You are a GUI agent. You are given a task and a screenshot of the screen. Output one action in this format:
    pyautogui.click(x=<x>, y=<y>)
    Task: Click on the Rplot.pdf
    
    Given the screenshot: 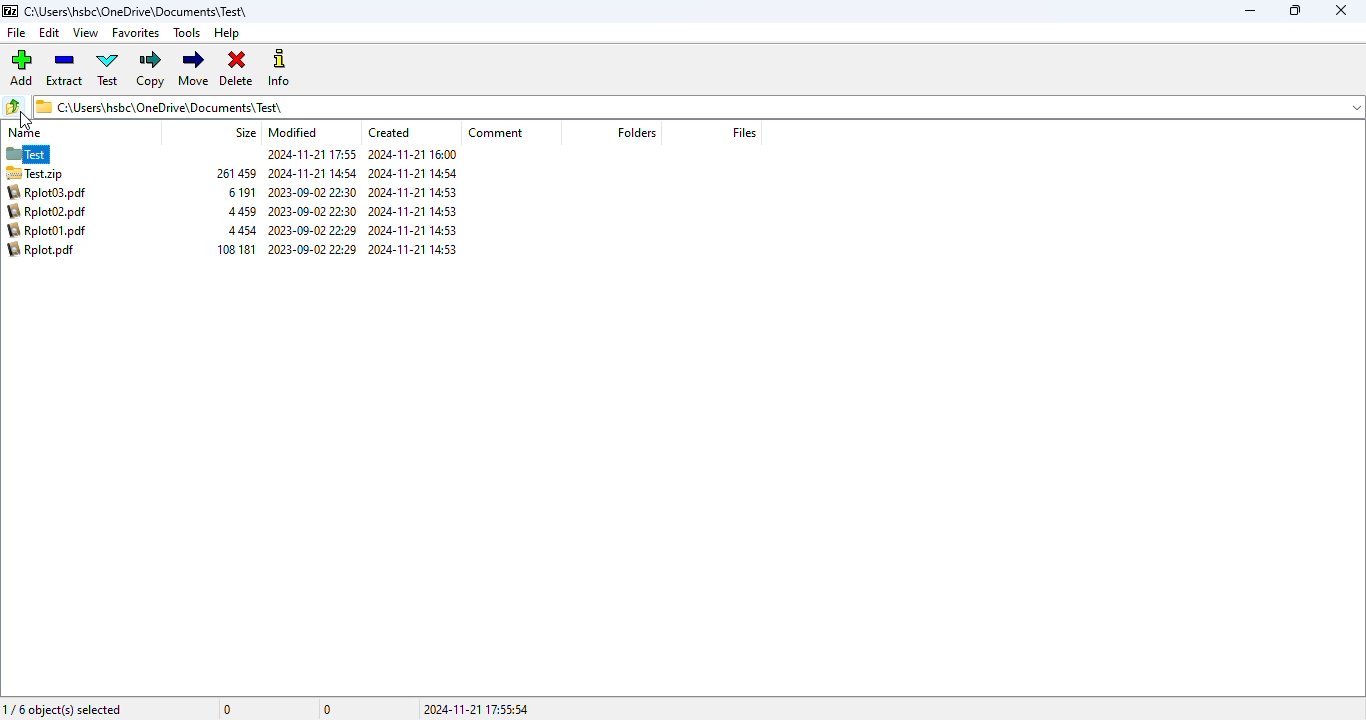 What is the action you would take?
    pyautogui.click(x=41, y=250)
    